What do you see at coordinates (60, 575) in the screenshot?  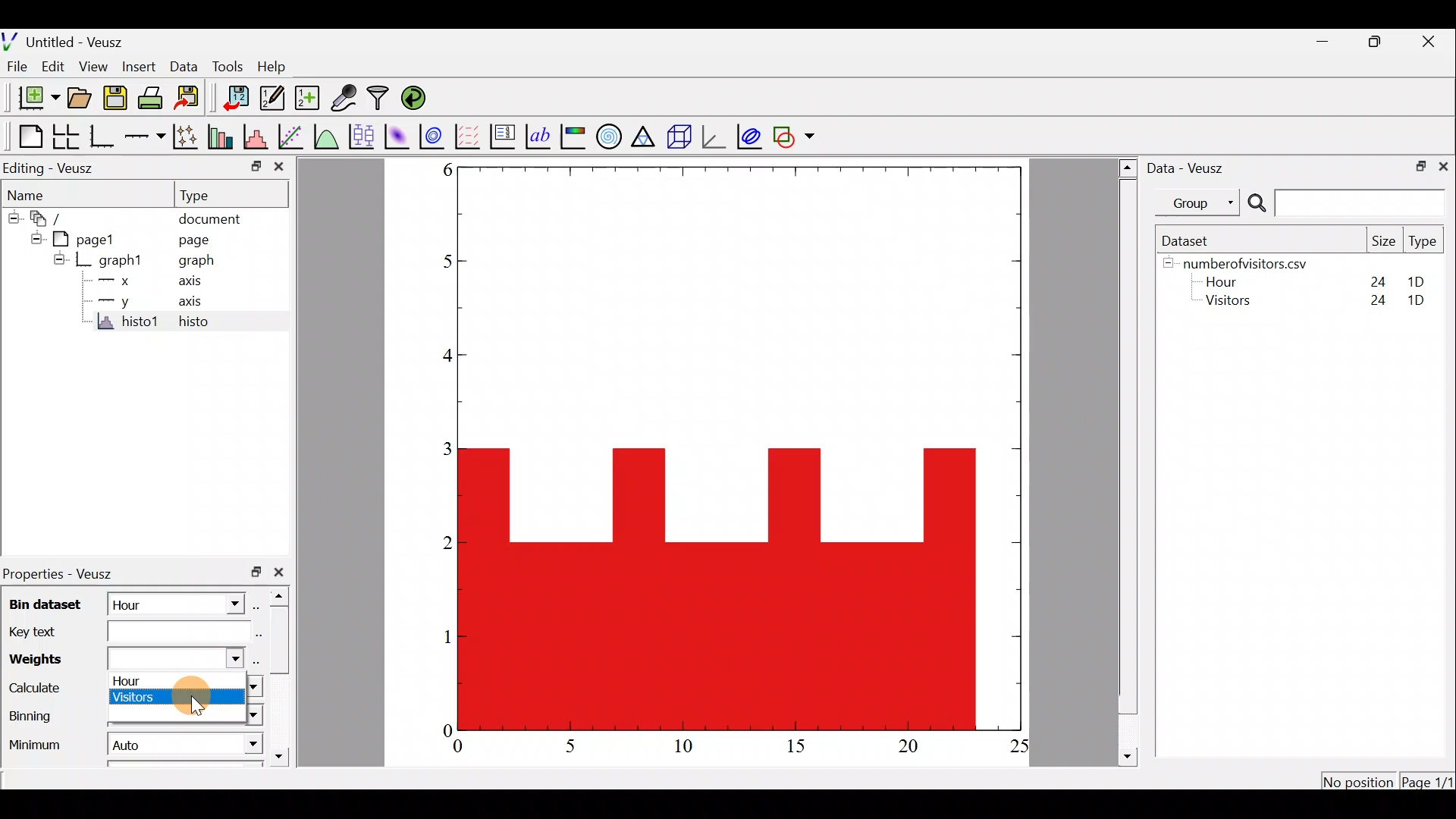 I see `Properties - Veusz` at bounding box center [60, 575].